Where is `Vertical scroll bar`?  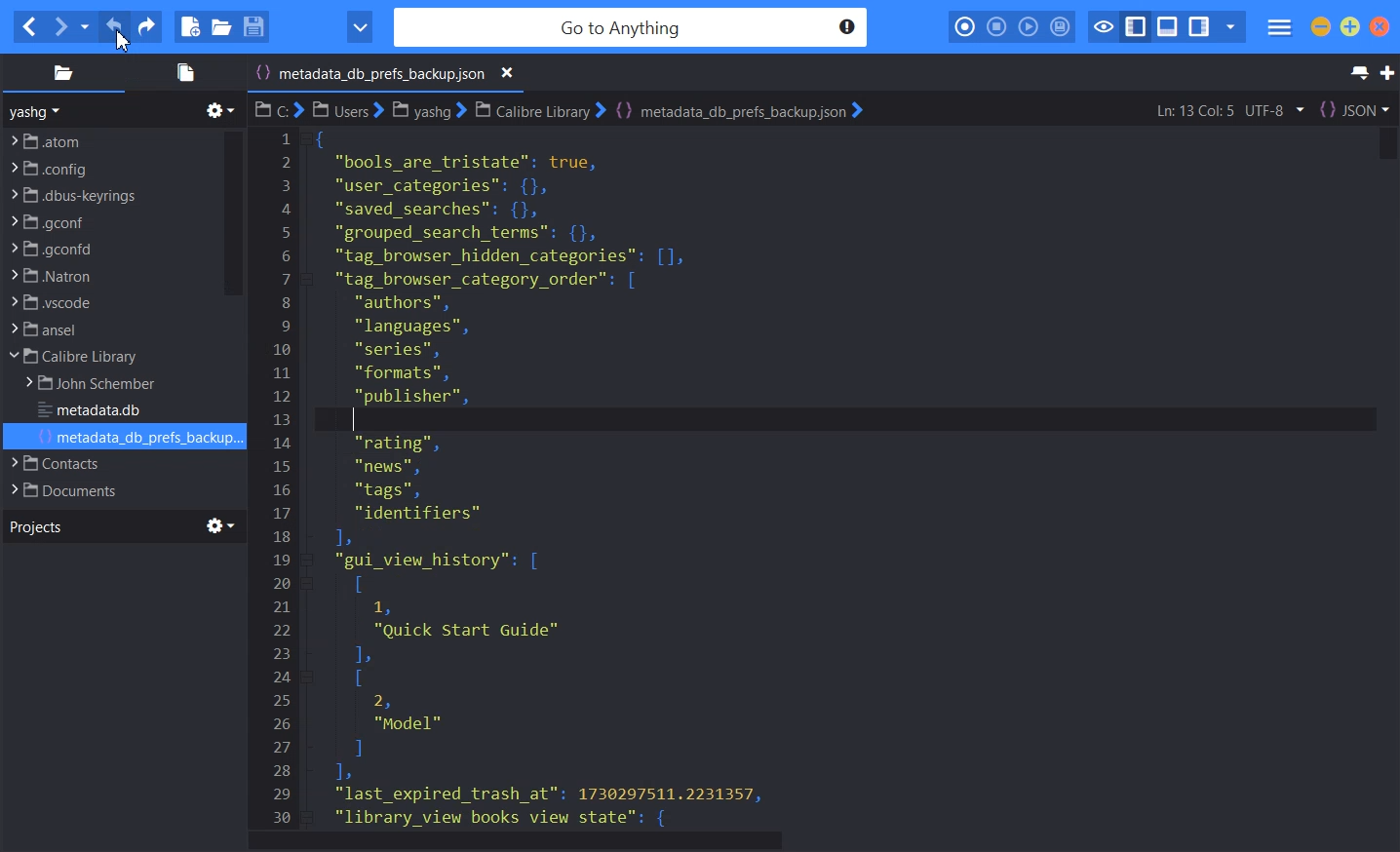 Vertical scroll bar is located at coordinates (232, 213).